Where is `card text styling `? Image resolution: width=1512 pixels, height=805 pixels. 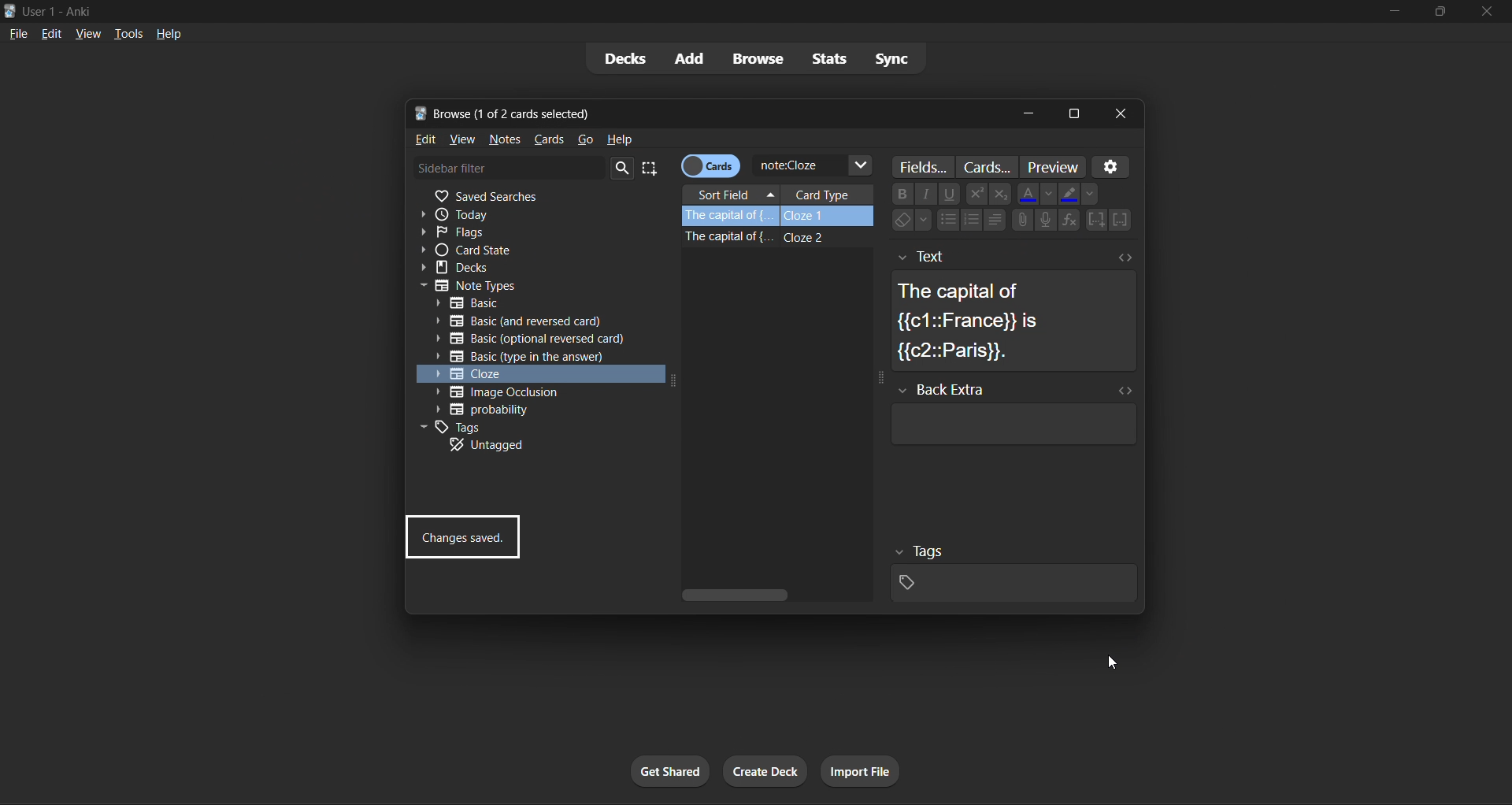
card text styling  is located at coordinates (1003, 209).